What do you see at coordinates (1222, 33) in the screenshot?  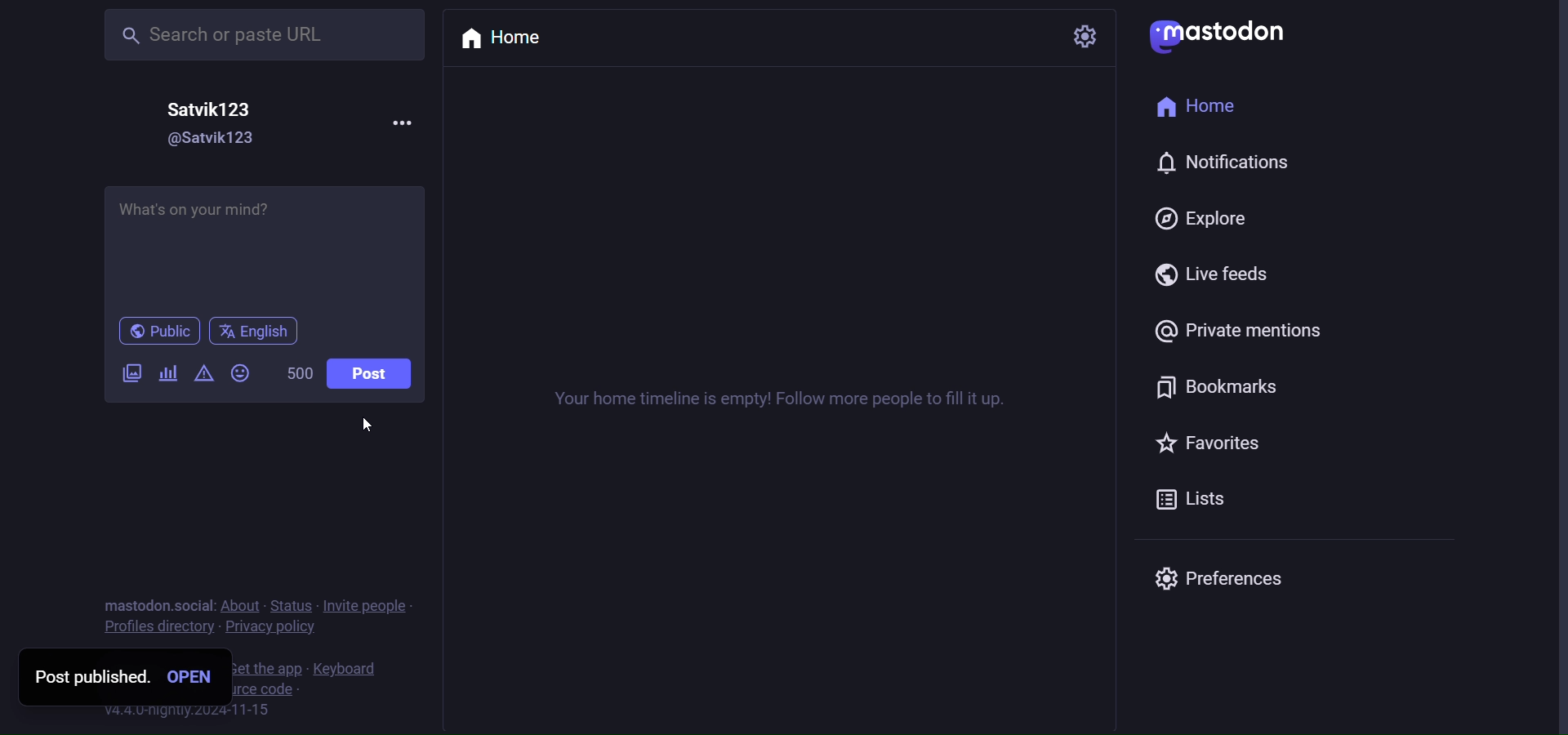 I see `mastodon` at bounding box center [1222, 33].